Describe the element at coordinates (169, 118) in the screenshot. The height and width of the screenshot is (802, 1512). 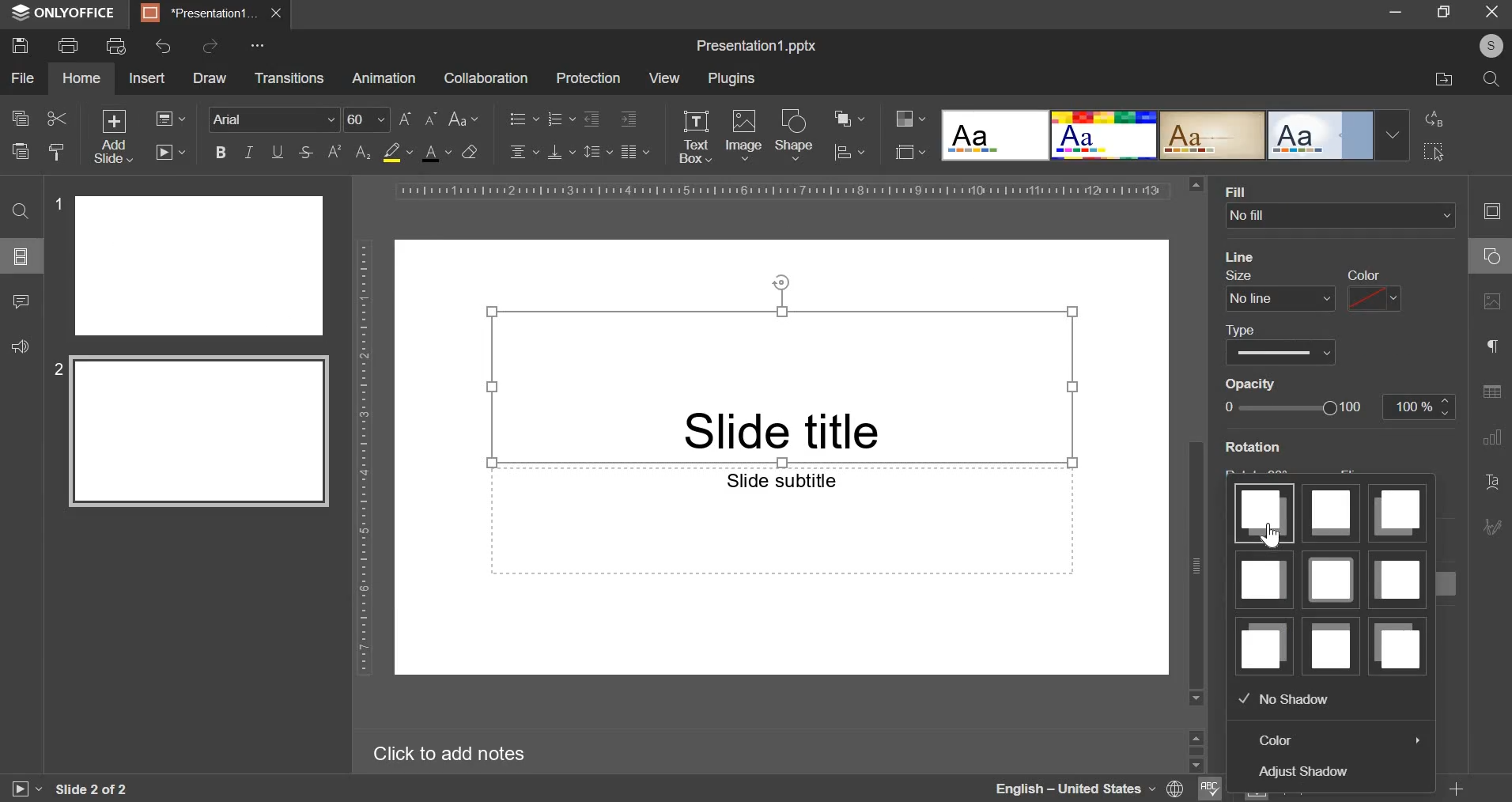
I see `change layout` at that location.